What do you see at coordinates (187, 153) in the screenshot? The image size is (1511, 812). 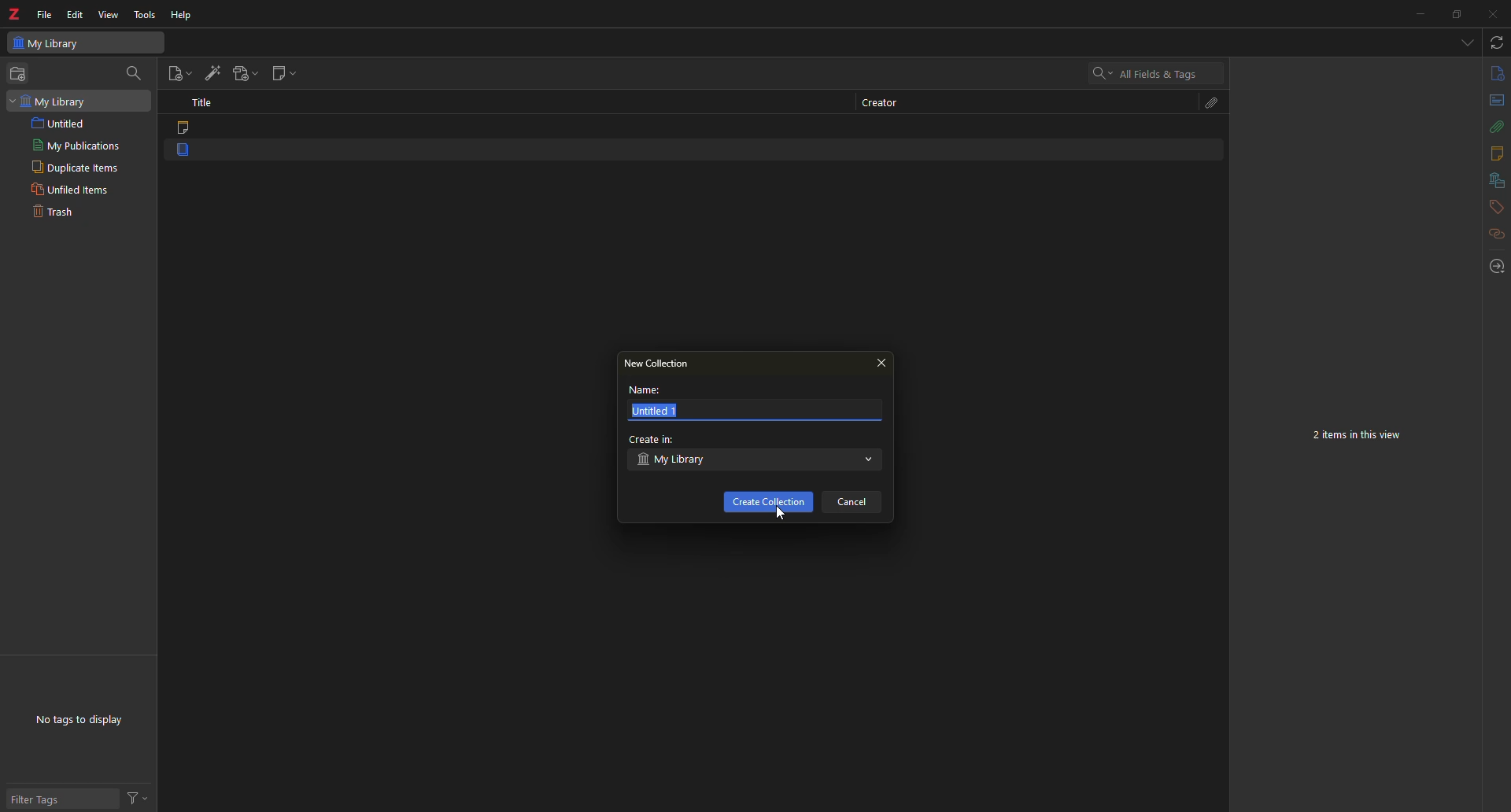 I see `item` at bounding box center [187, 153].